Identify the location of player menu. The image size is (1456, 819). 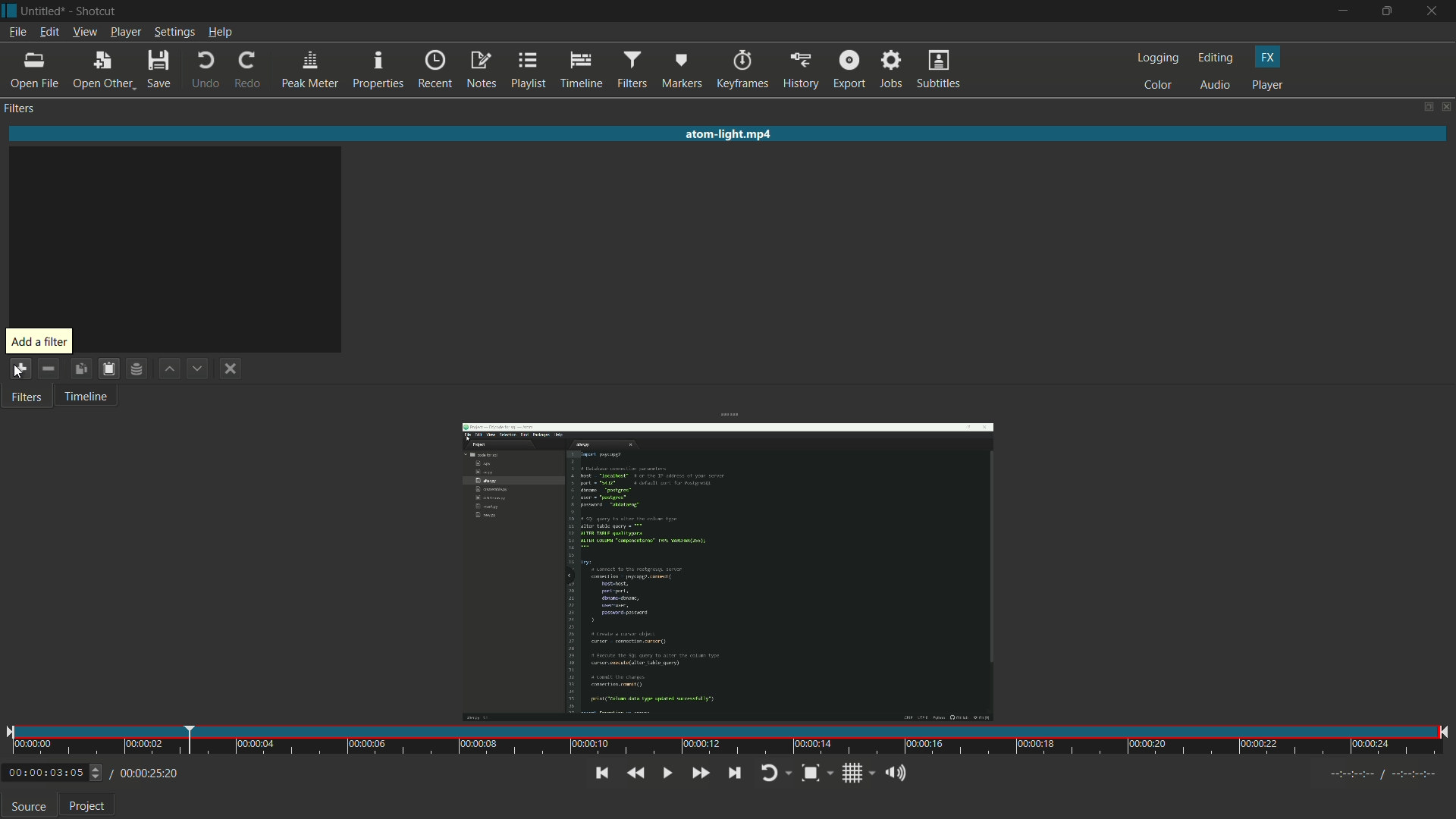
(126, 33).